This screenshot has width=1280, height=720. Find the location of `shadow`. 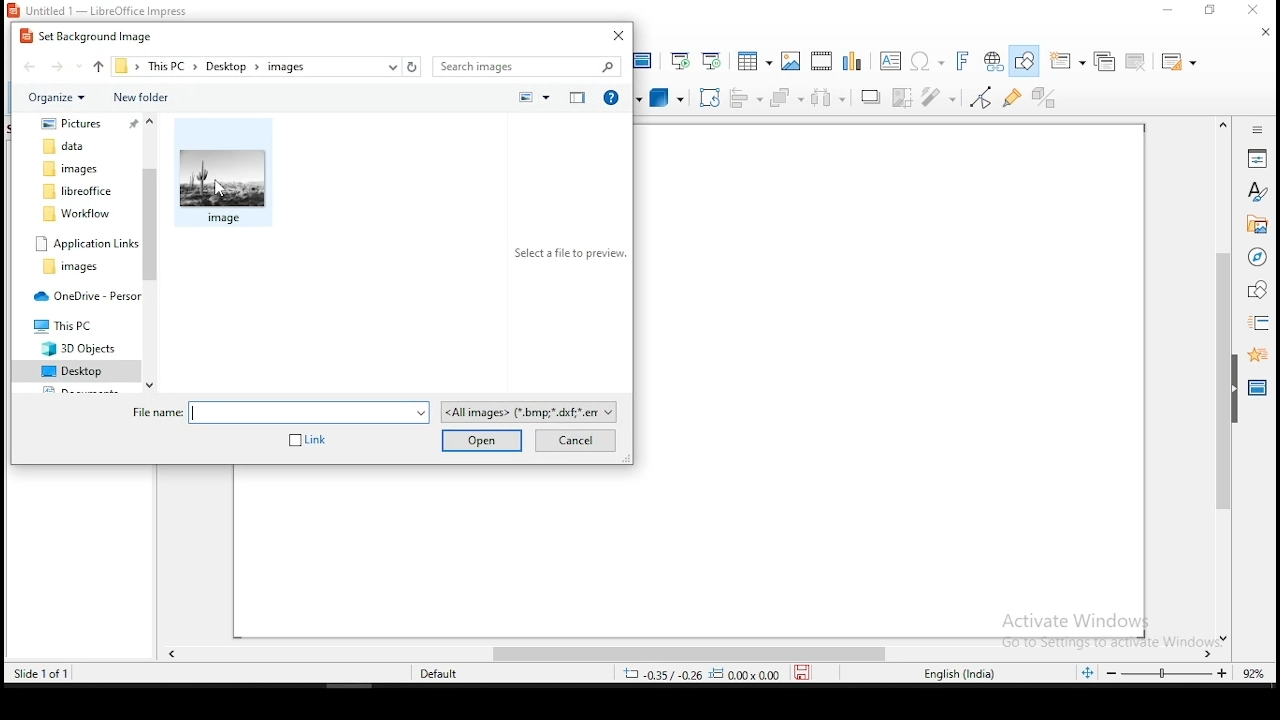

shadow is located at coordinates (869, 96).